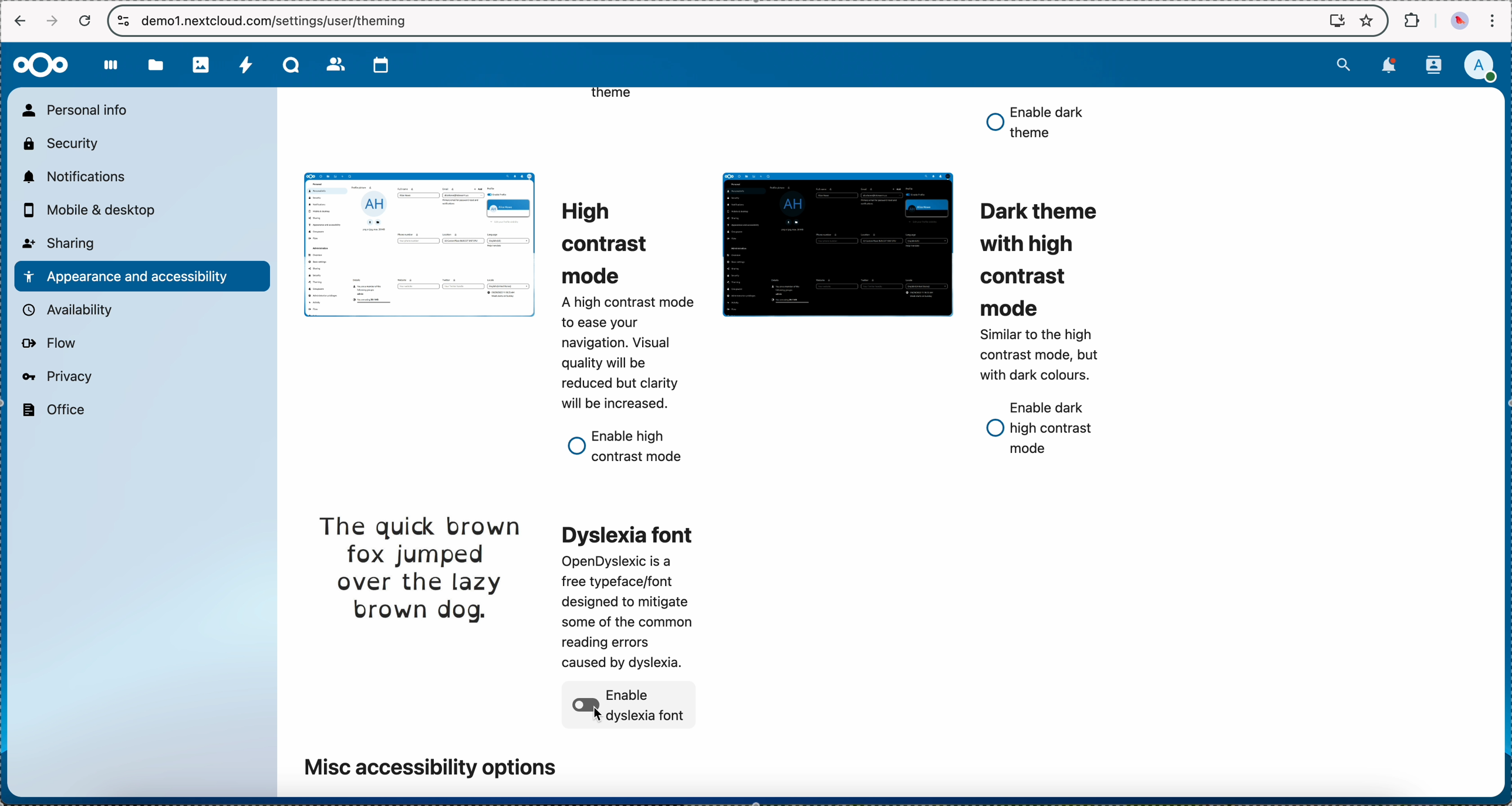 Image resolution: width=1512 pixels, height=806 pixels. Describe the element at coordinates (1457, 21) in the screenshot. I see `profile picture` at that location.